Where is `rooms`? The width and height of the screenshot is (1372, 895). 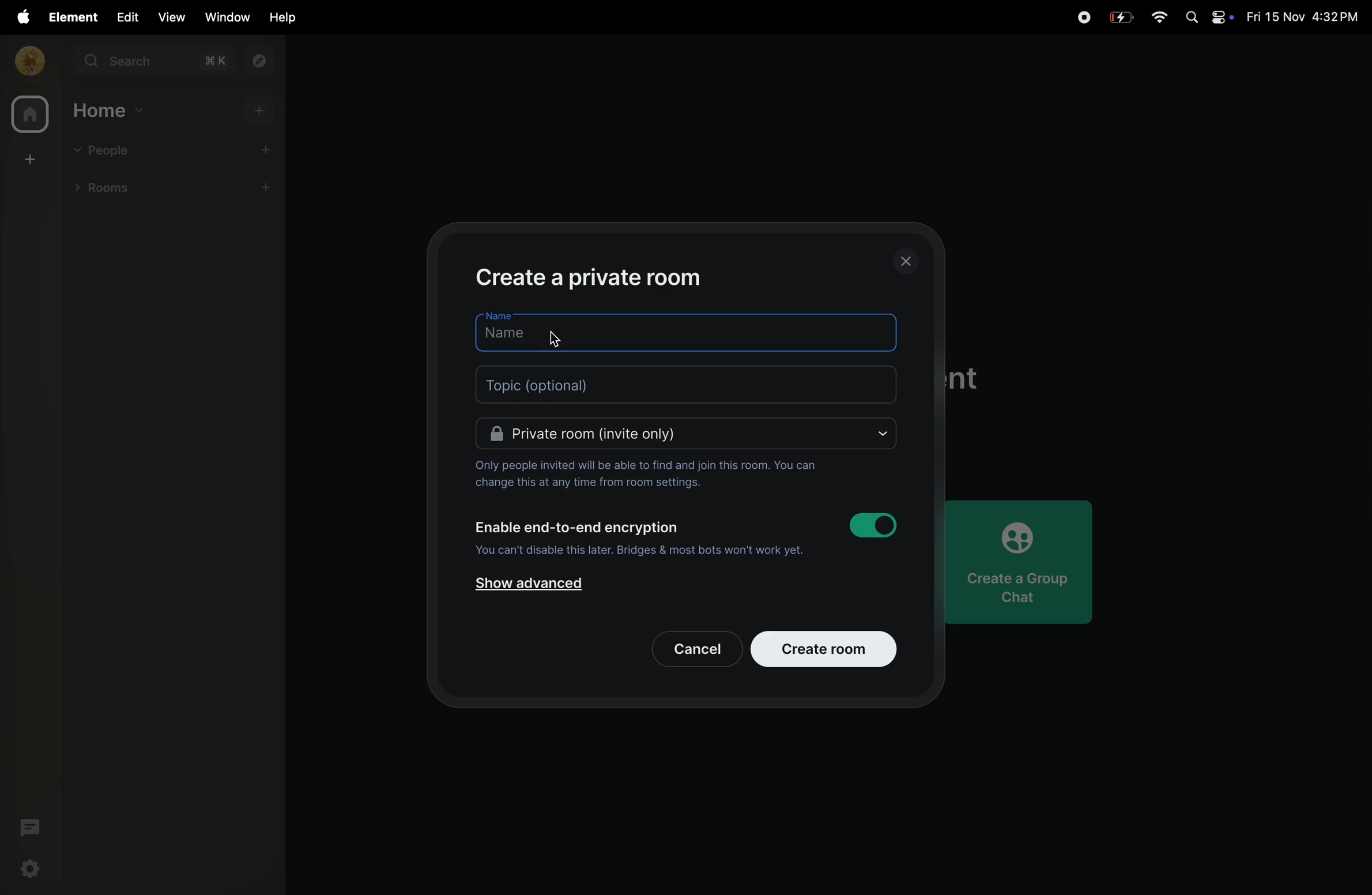 rooms is located at coordinates (114, 190).